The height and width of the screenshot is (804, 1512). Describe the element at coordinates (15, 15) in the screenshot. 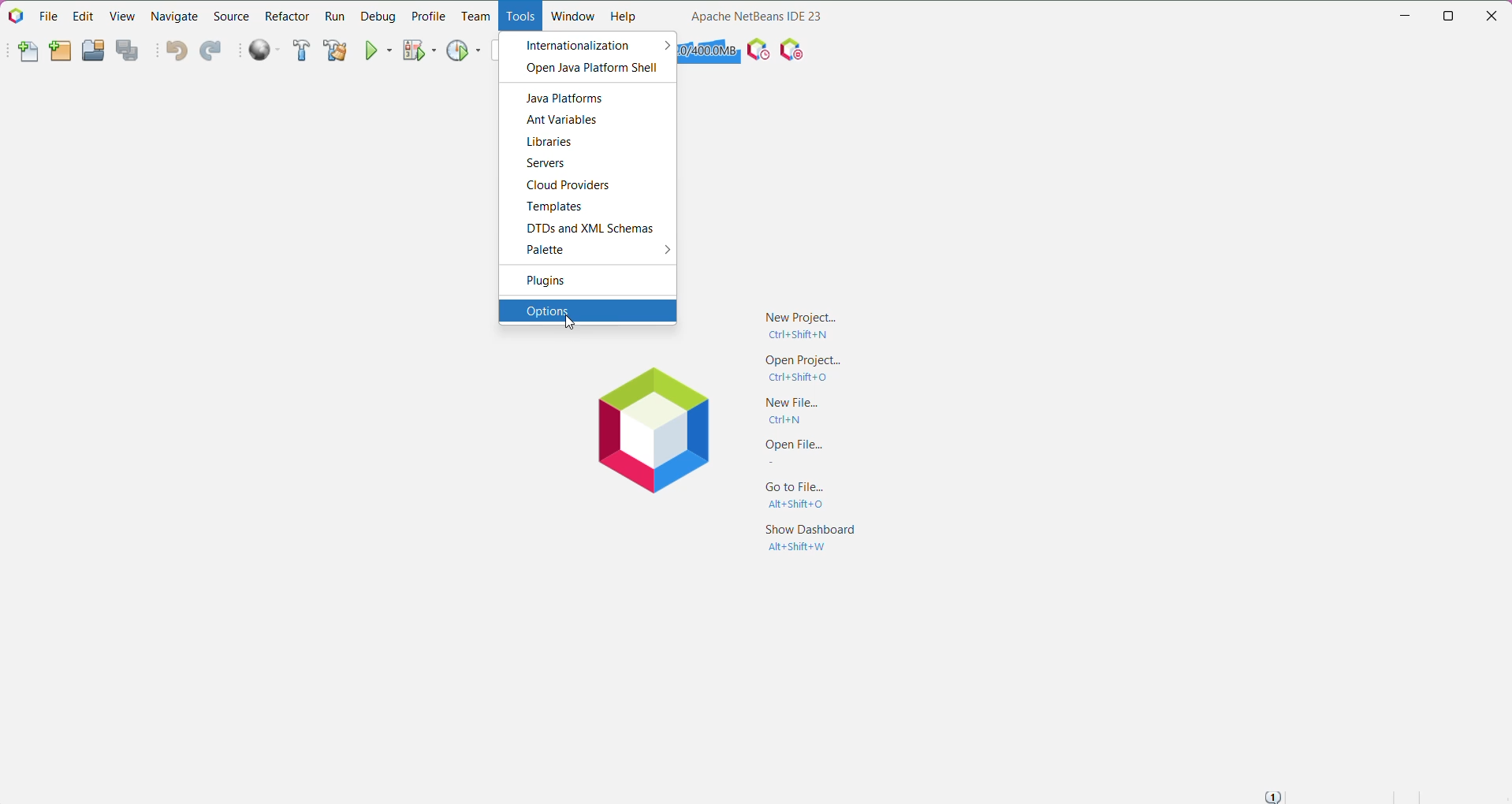

I see `Application Logo` at that location.